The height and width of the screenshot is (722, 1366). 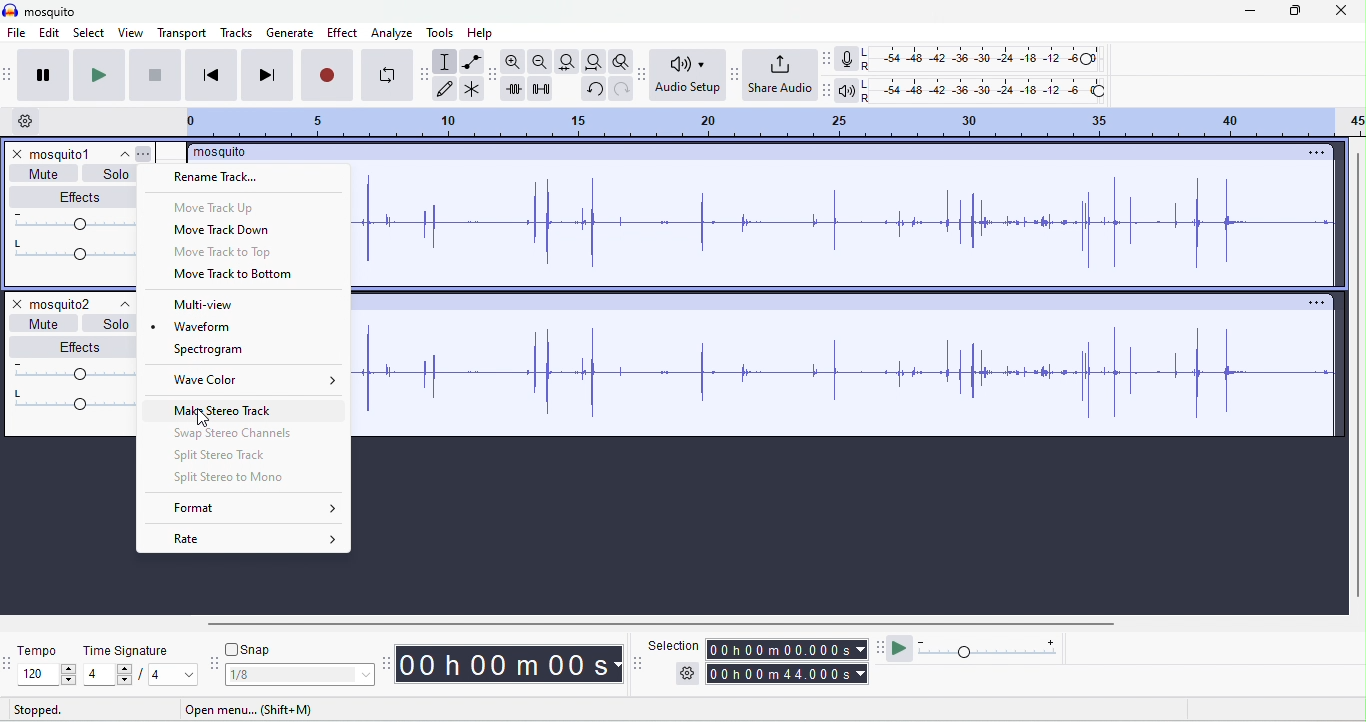 What do you see at coordinates (508, 664) in the screenshot?
I see `time` at bounding box center [508, 664].